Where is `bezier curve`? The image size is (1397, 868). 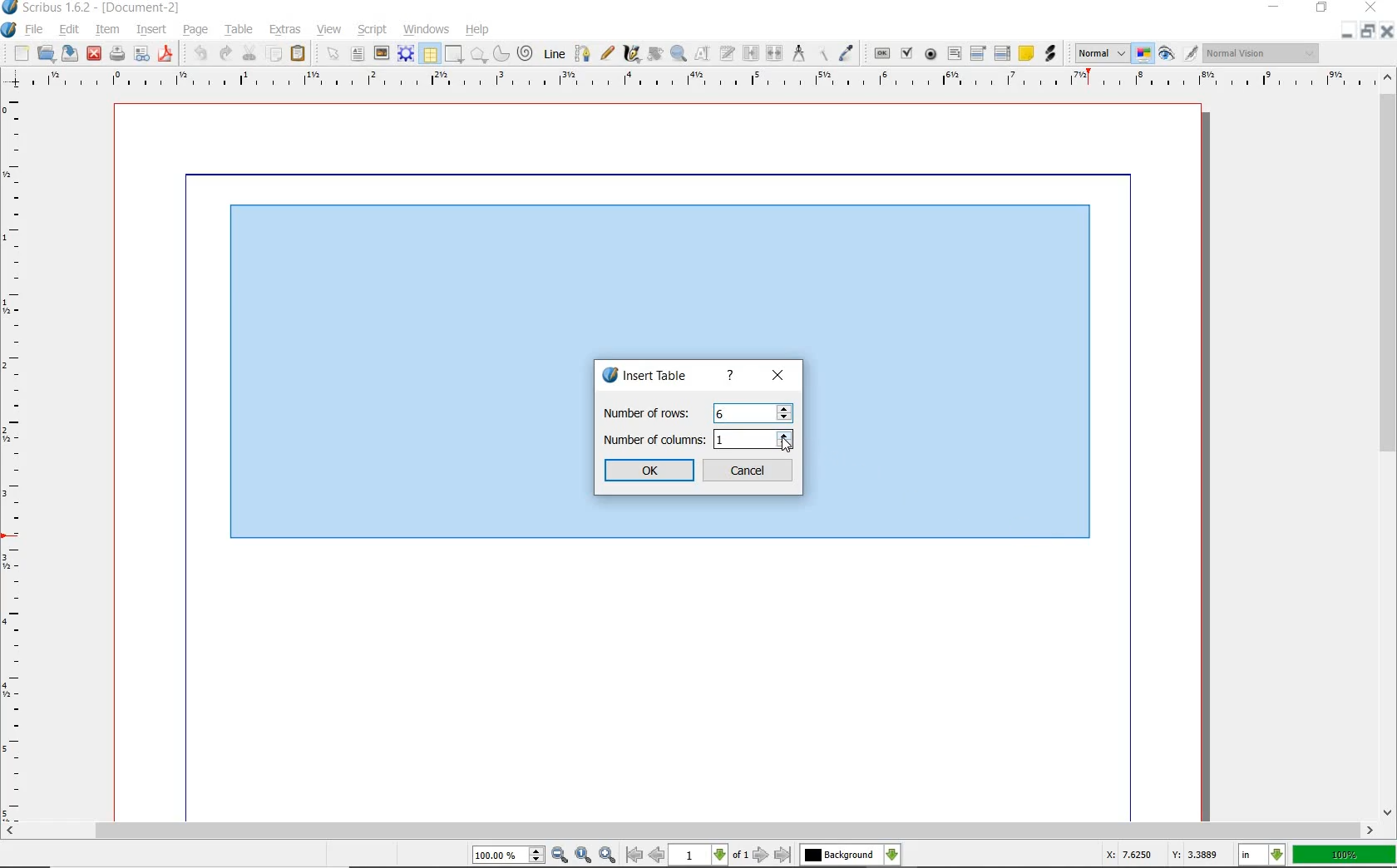 bezier curve is located at coordinates (583, 56).